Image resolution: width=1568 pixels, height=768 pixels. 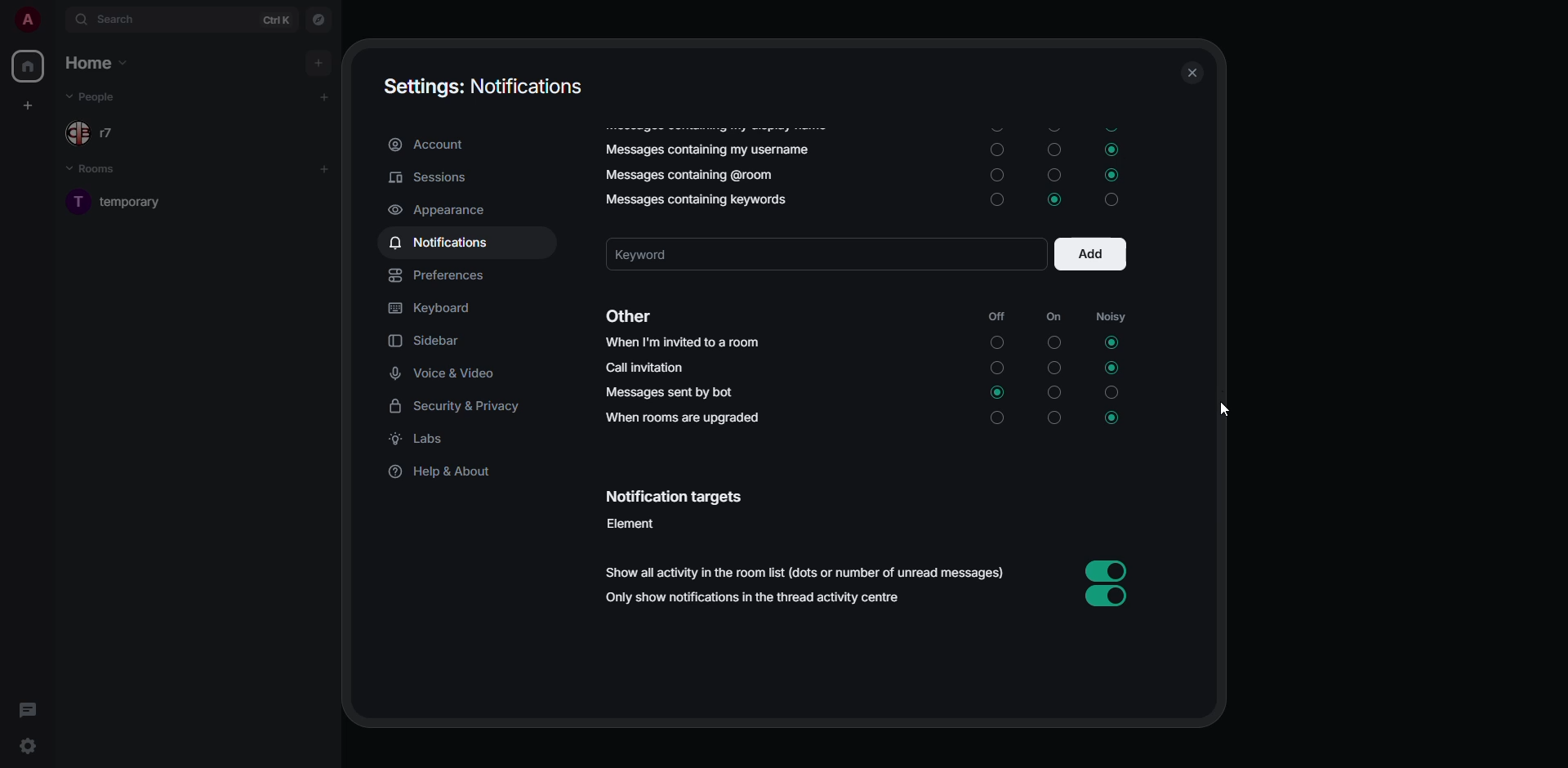 I want to click on show all activity in room list, so click(x=810, y=574).